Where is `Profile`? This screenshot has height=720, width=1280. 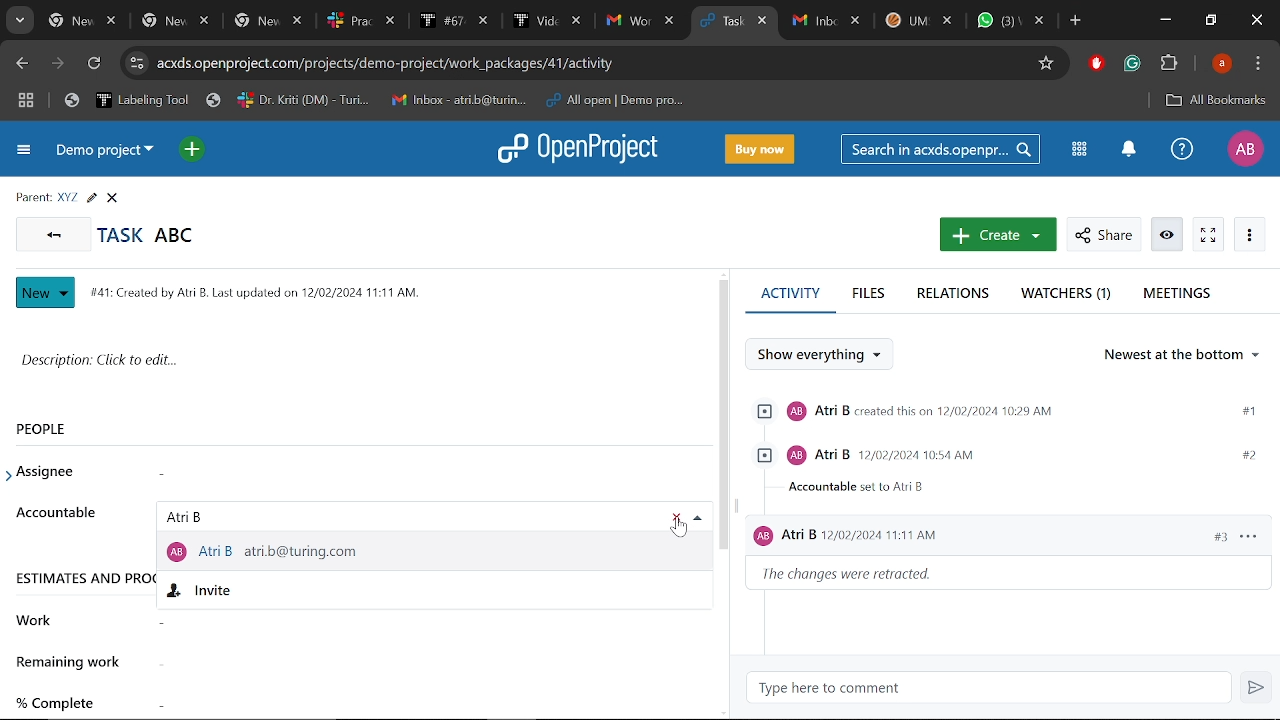
Profile is located at coordinates (1222, 65).